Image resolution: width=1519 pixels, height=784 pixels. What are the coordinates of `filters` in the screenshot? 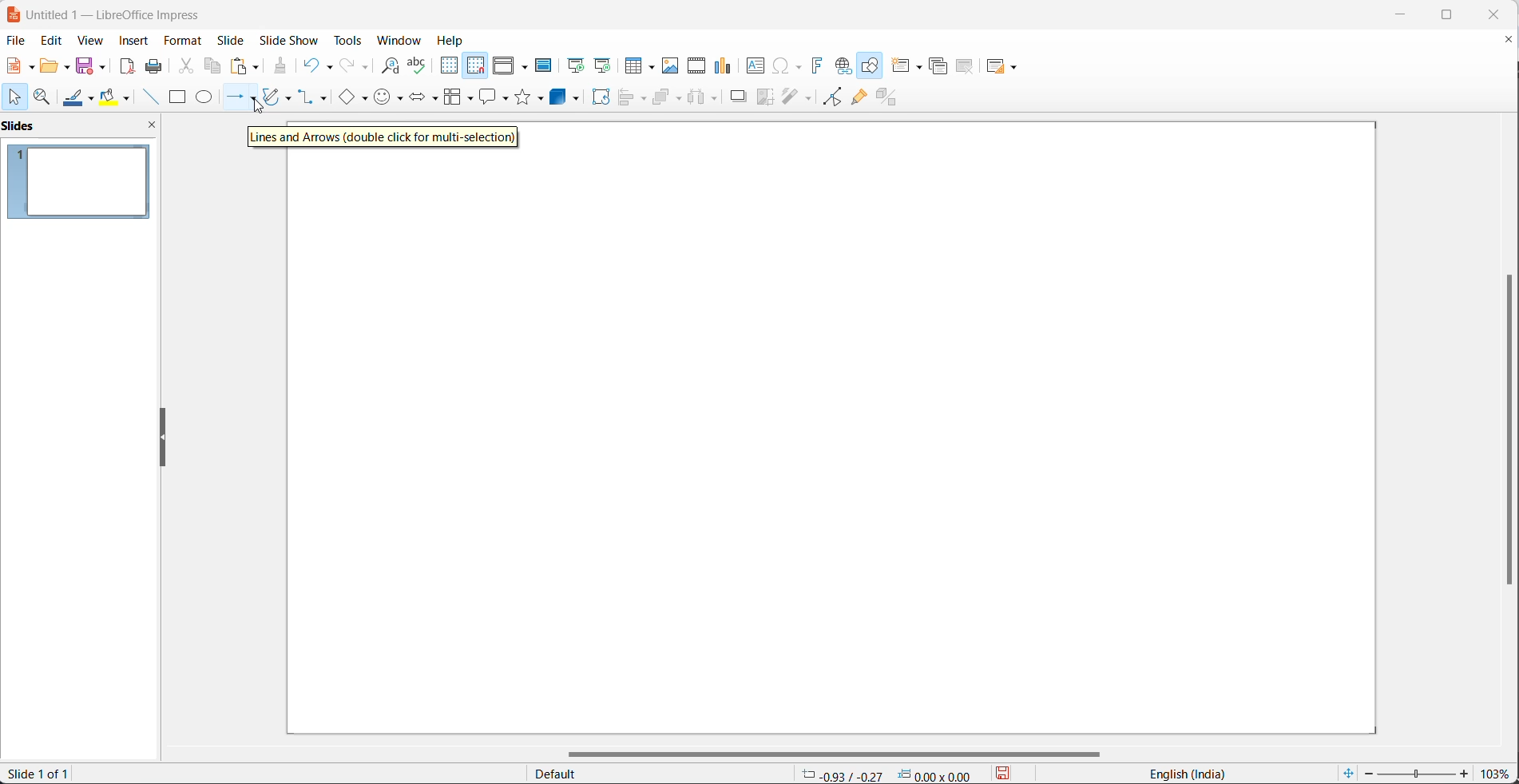 It's located at (796, 98).